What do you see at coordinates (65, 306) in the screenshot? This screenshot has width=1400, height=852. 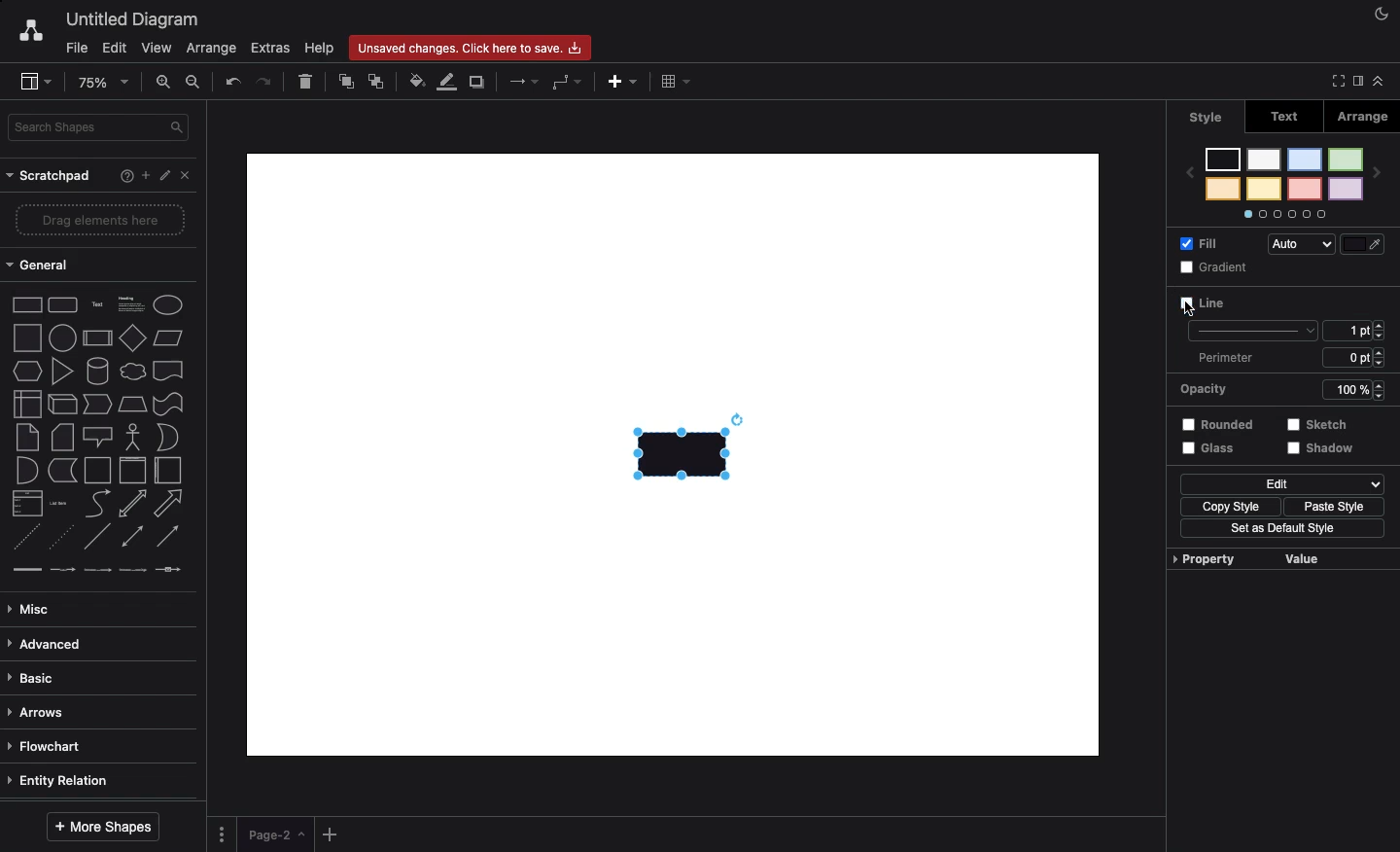 I see `Rounded rectangle` at bounding box center [65, 306].